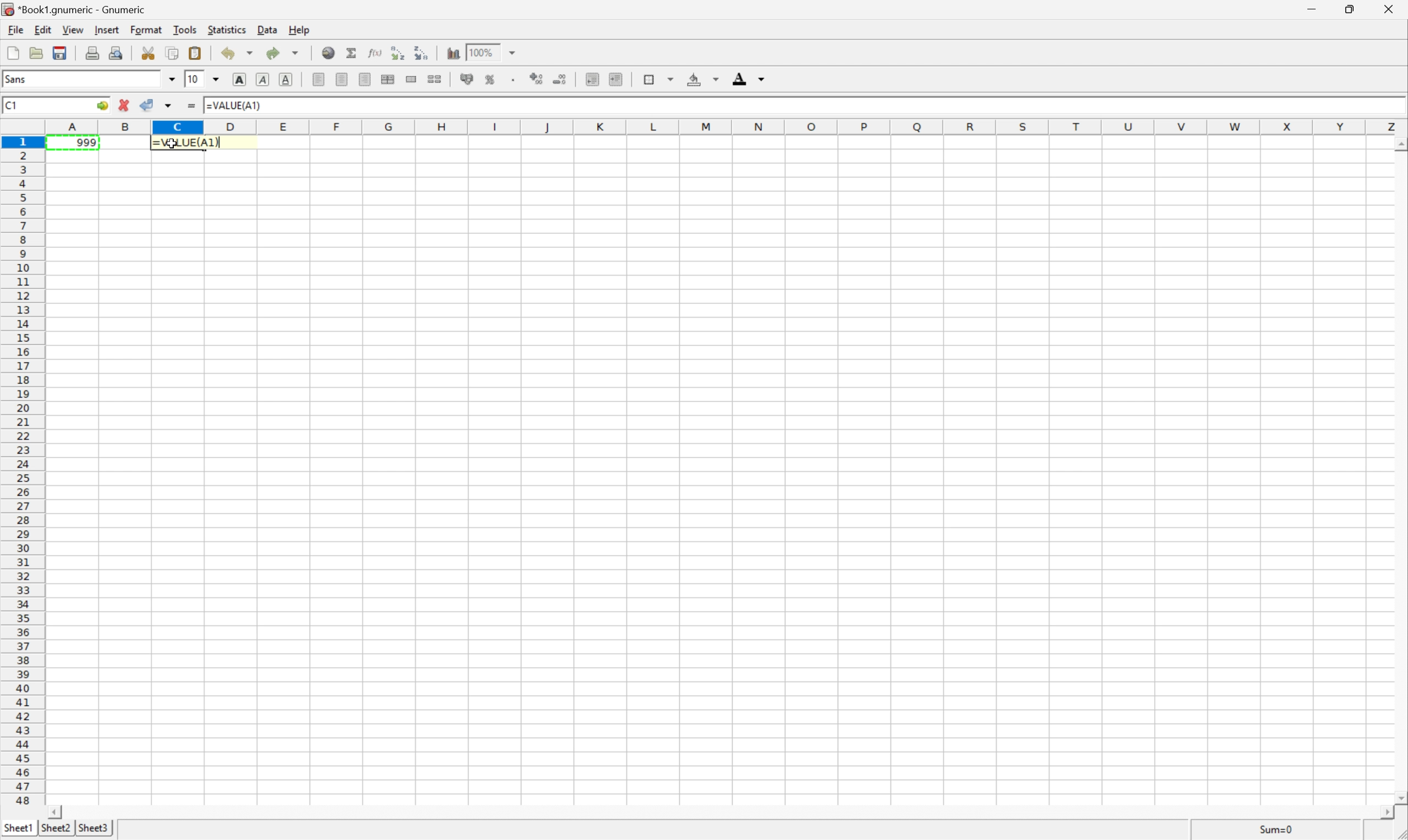 The width and height of the screenshot is (1408, 840). What do you see at coordinates (55, 832) in the screenshot?
I see `sheet2` at bounding box center [55, 832].